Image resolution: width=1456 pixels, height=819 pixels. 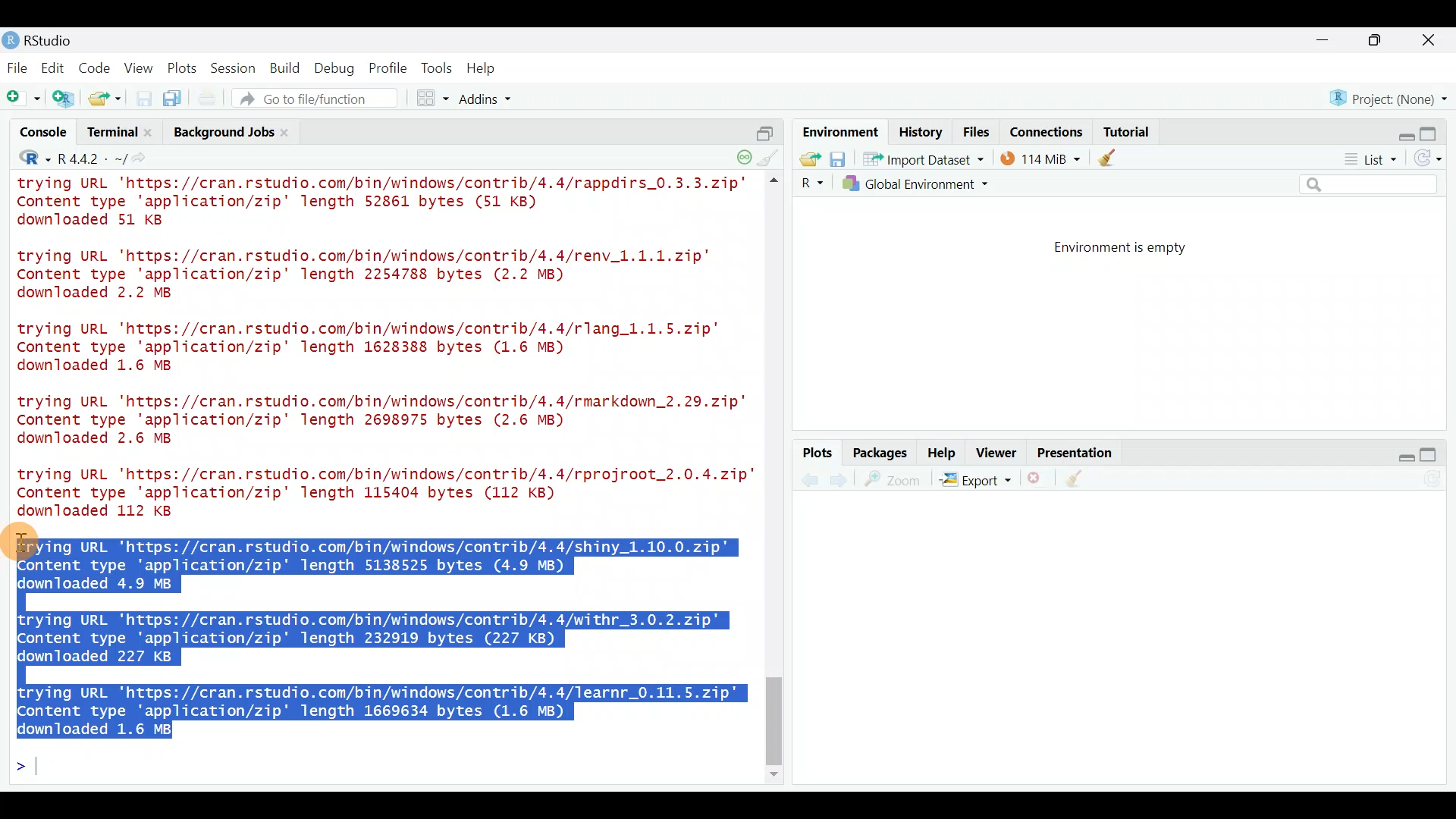 What do you see at coordinates (385, 422) in the screenshot?
I see `trying URL 'https://cran.rstudio.com/bin/windows/contrib/4.4/rmarkdown_2.29.zip"
Content type 'application/zip' length 2698975 bytes (2.6 MB)
downloaded 2.6 MB` at bounding box center [385, 422].